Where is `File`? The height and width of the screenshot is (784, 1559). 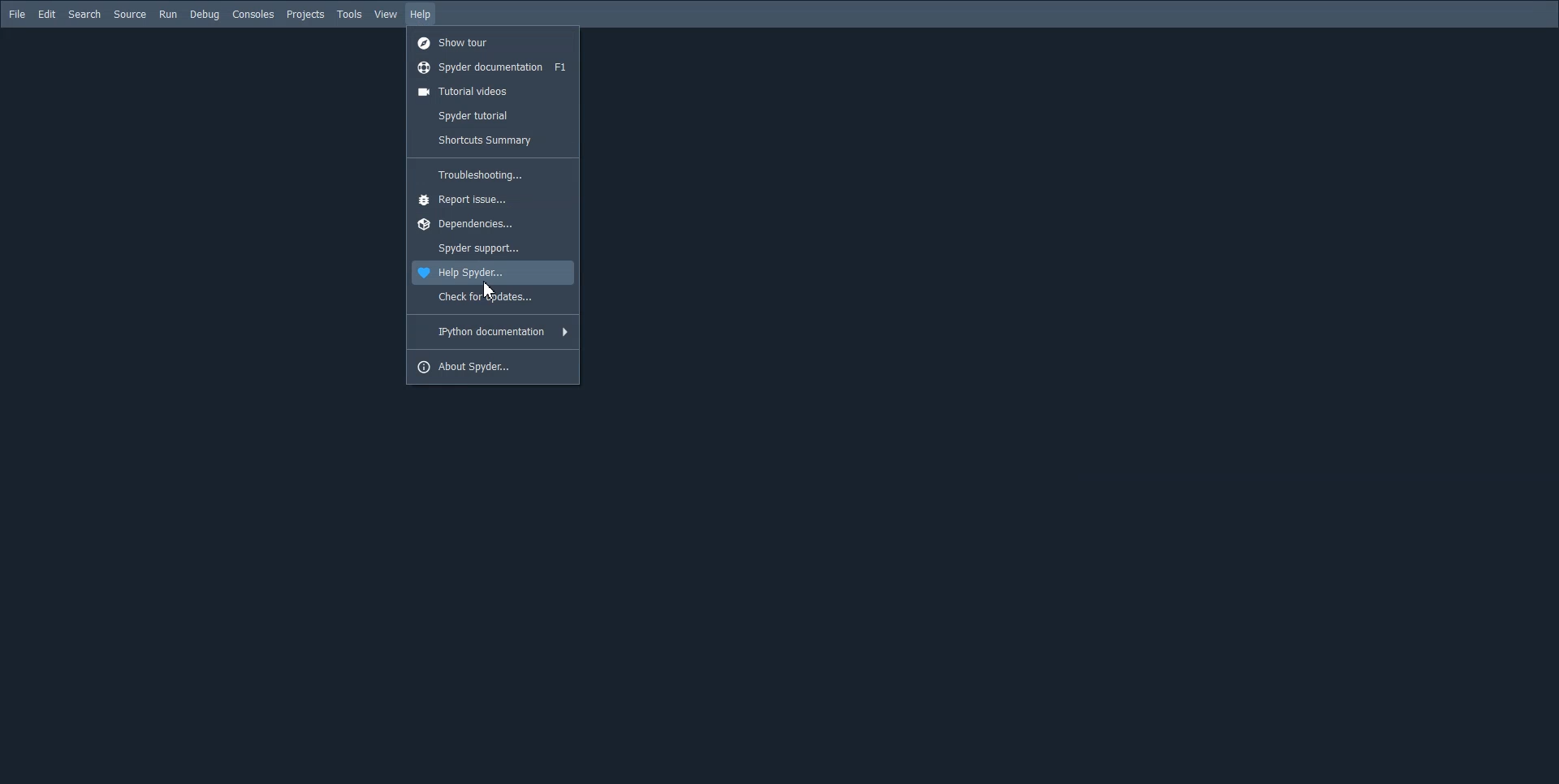 File is located at coordinates (17, 14).